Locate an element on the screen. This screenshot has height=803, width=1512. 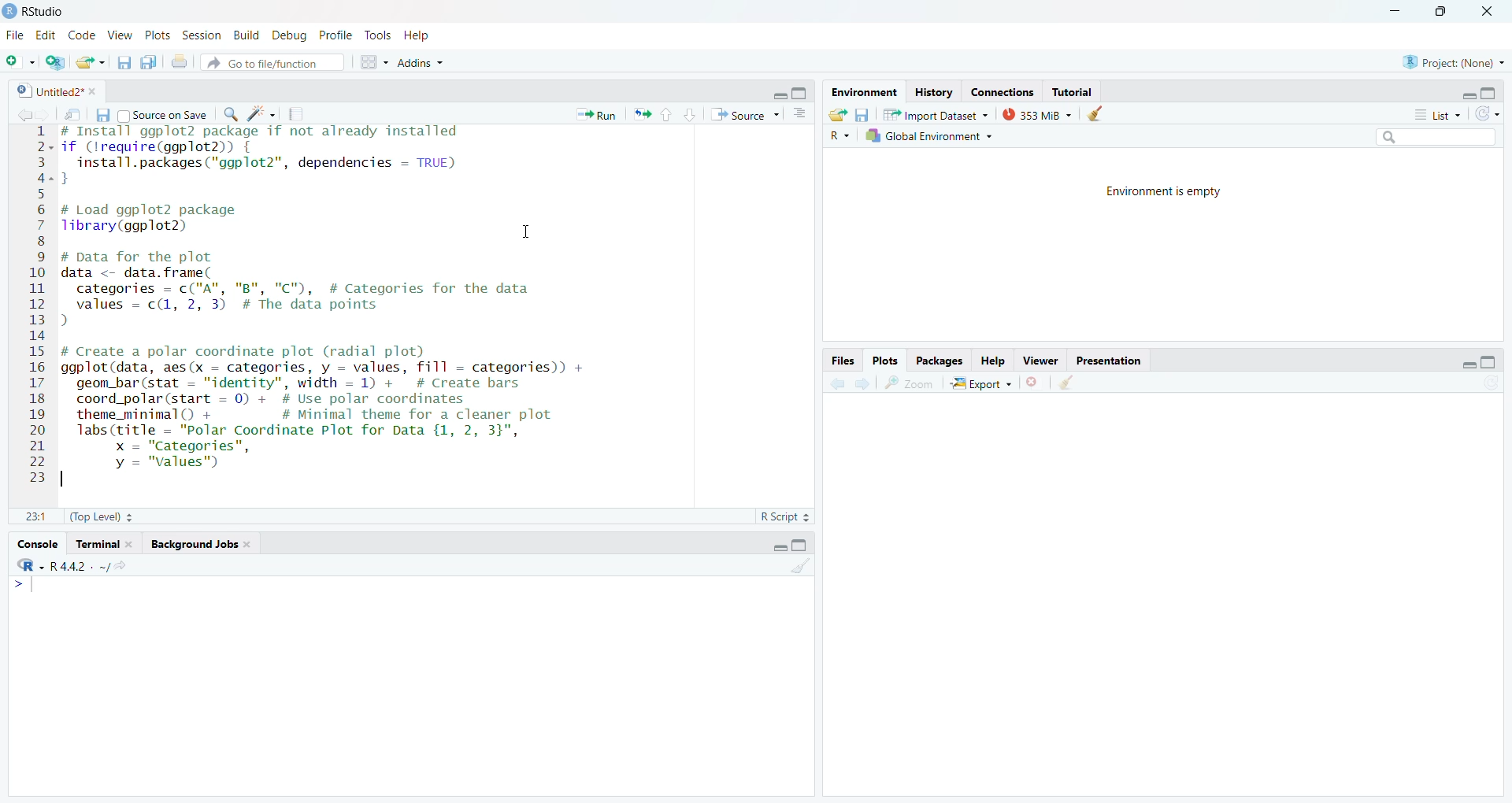
save current file is located at coordinates (102, 115).